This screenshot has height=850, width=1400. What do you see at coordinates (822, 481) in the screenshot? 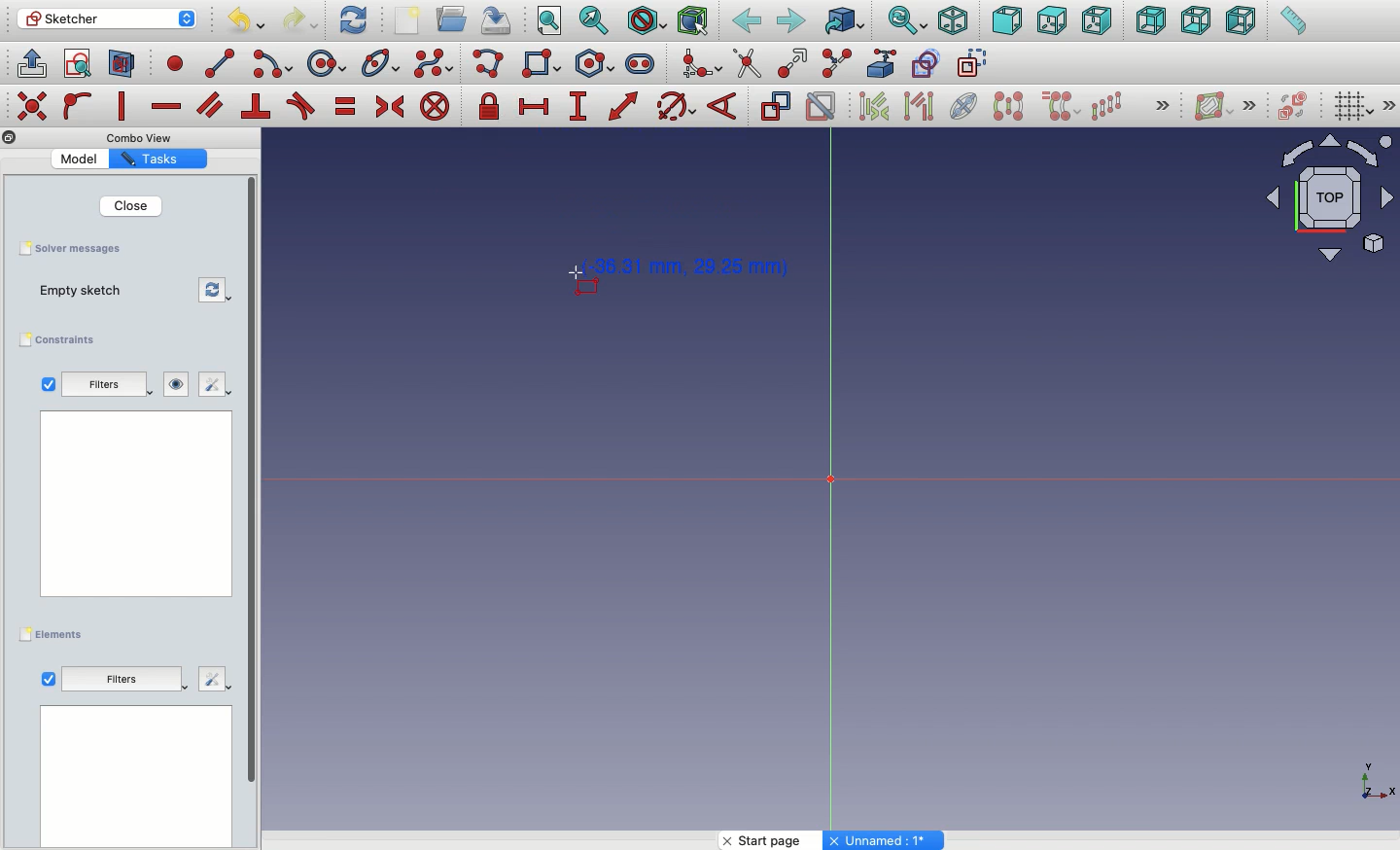
I see `Axis` at bounding box center [822, 481].